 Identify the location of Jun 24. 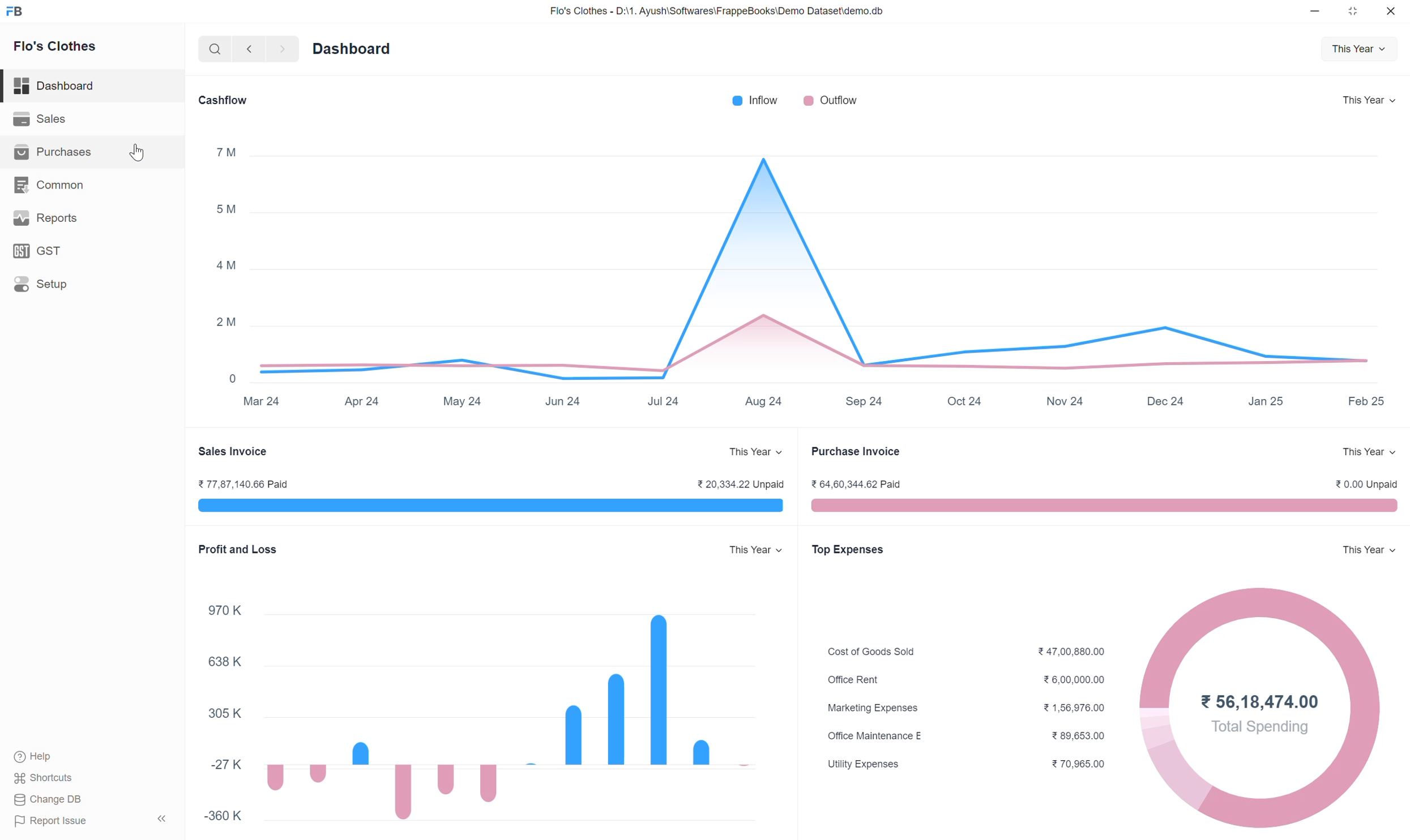
(563, 401).